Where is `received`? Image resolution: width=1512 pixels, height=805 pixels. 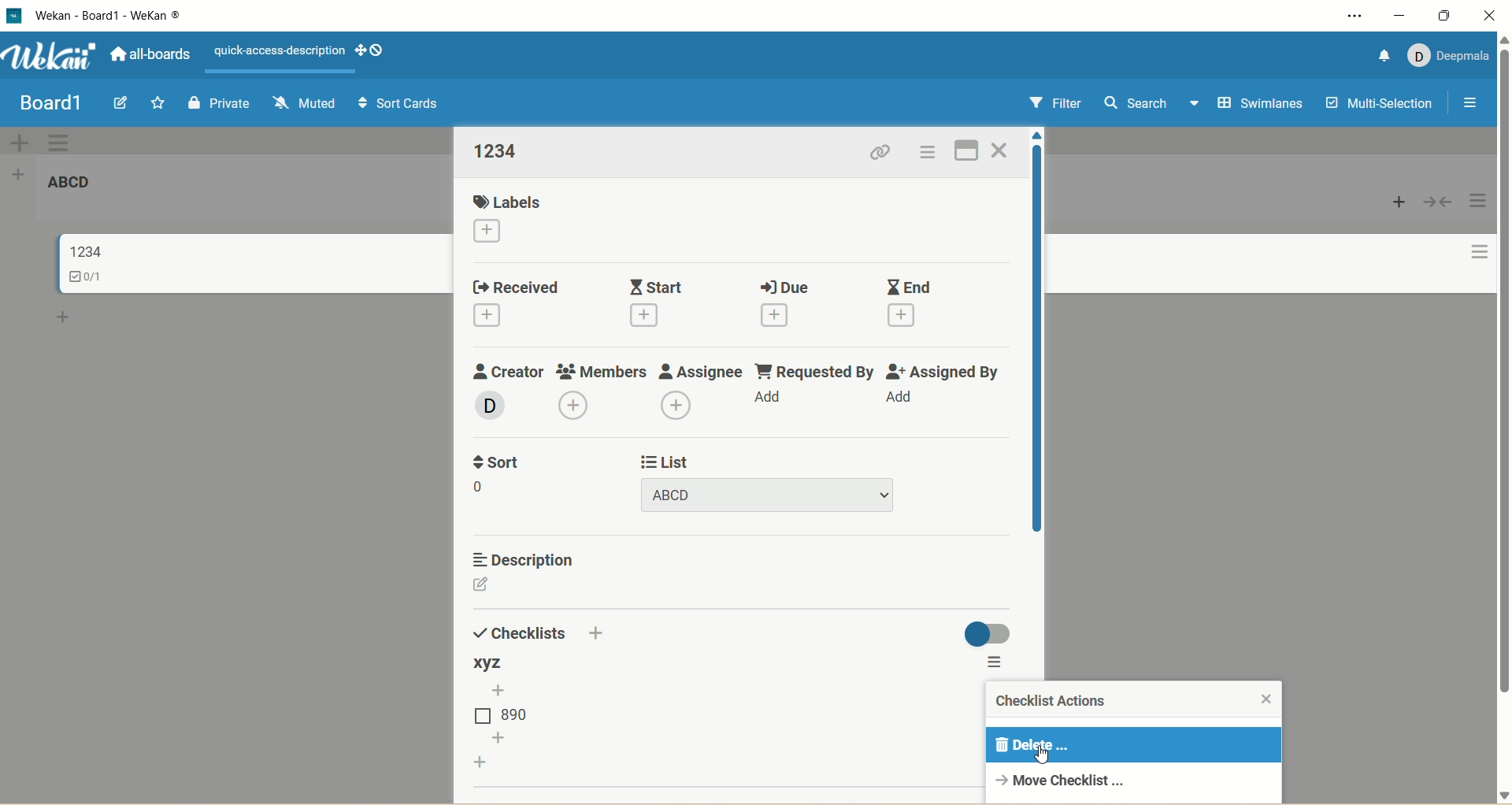
received is located at coordinates (528, 285).